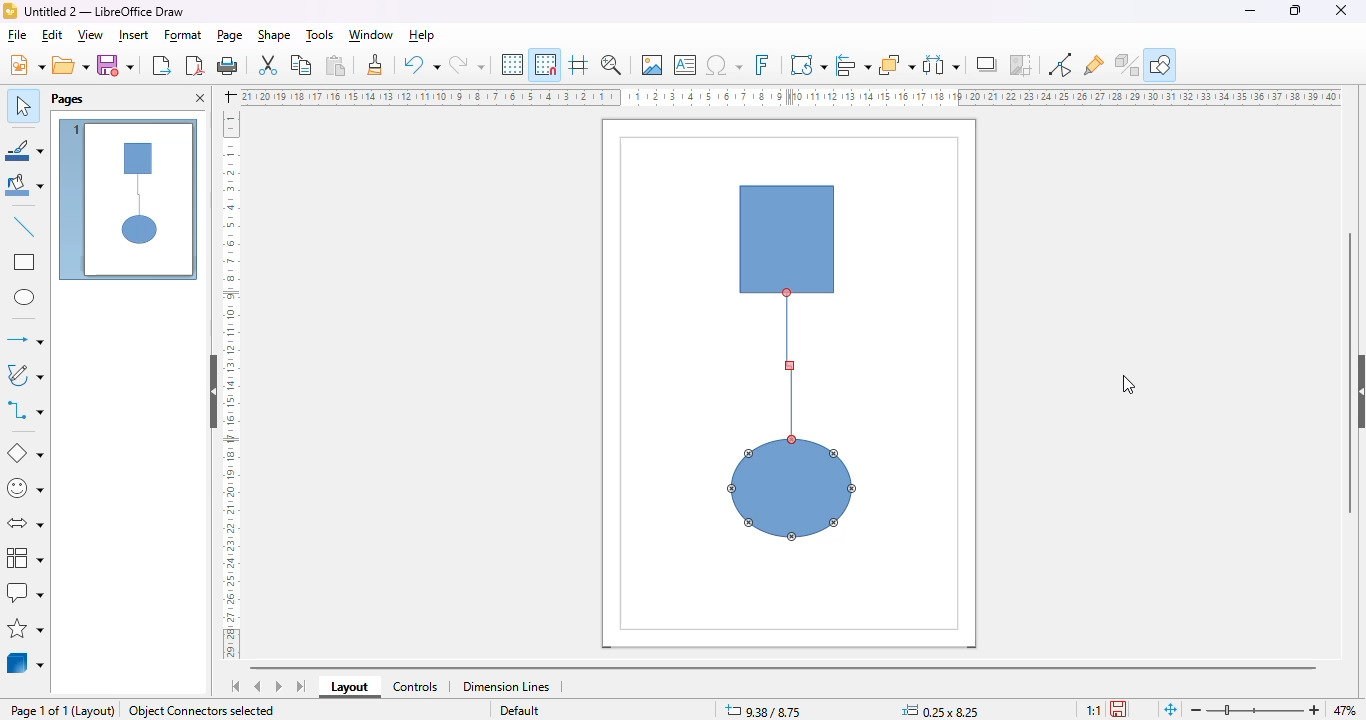 This screenshot has width=1366, height=720. Describe the element at coordinates (421, 35) in the screenshot. I see `help` at that location.